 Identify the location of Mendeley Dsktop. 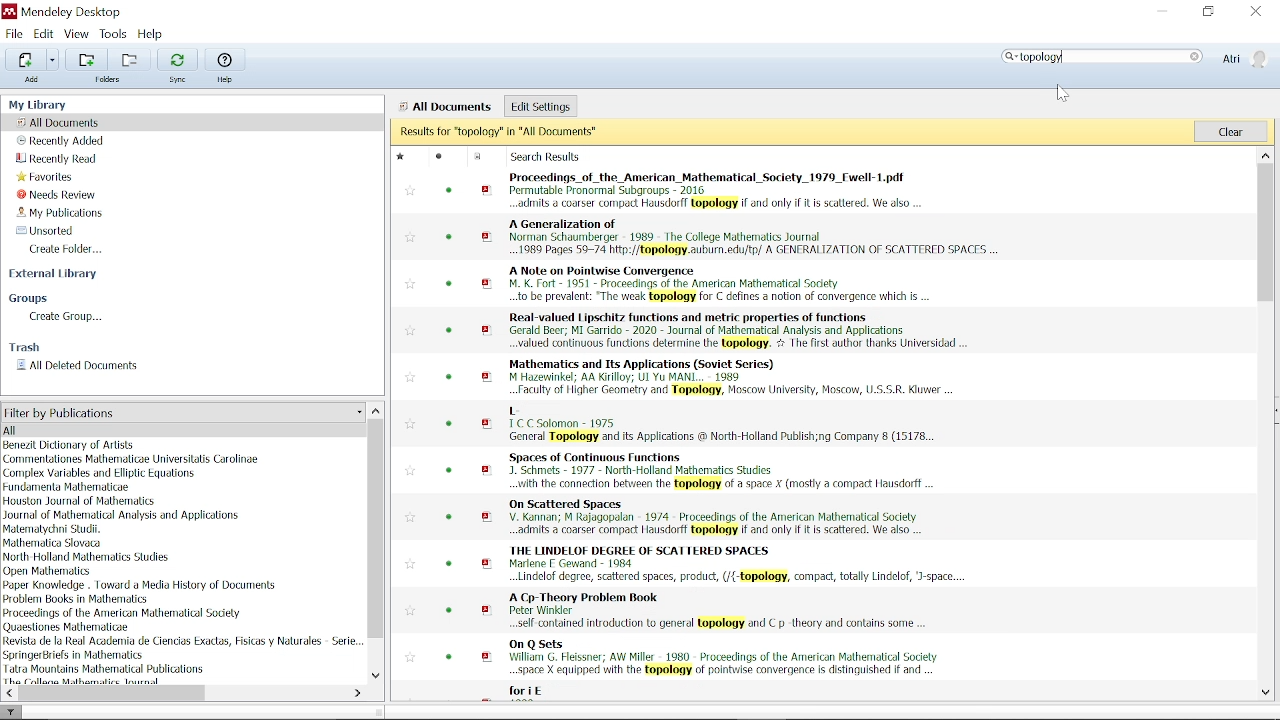
(71, 11).